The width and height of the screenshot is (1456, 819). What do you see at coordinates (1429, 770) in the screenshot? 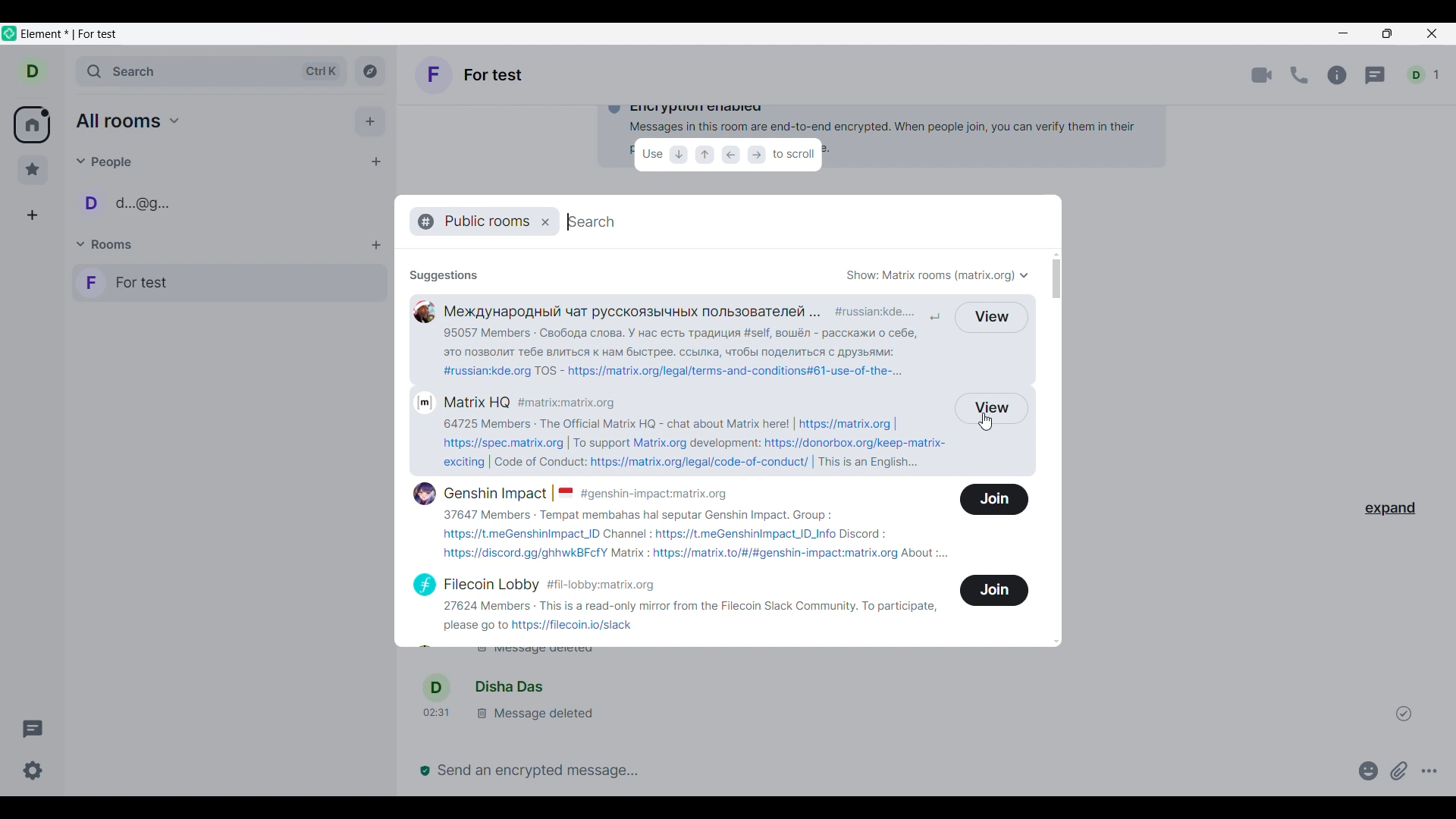
I see `More options` at bounding box center [1429, 770].